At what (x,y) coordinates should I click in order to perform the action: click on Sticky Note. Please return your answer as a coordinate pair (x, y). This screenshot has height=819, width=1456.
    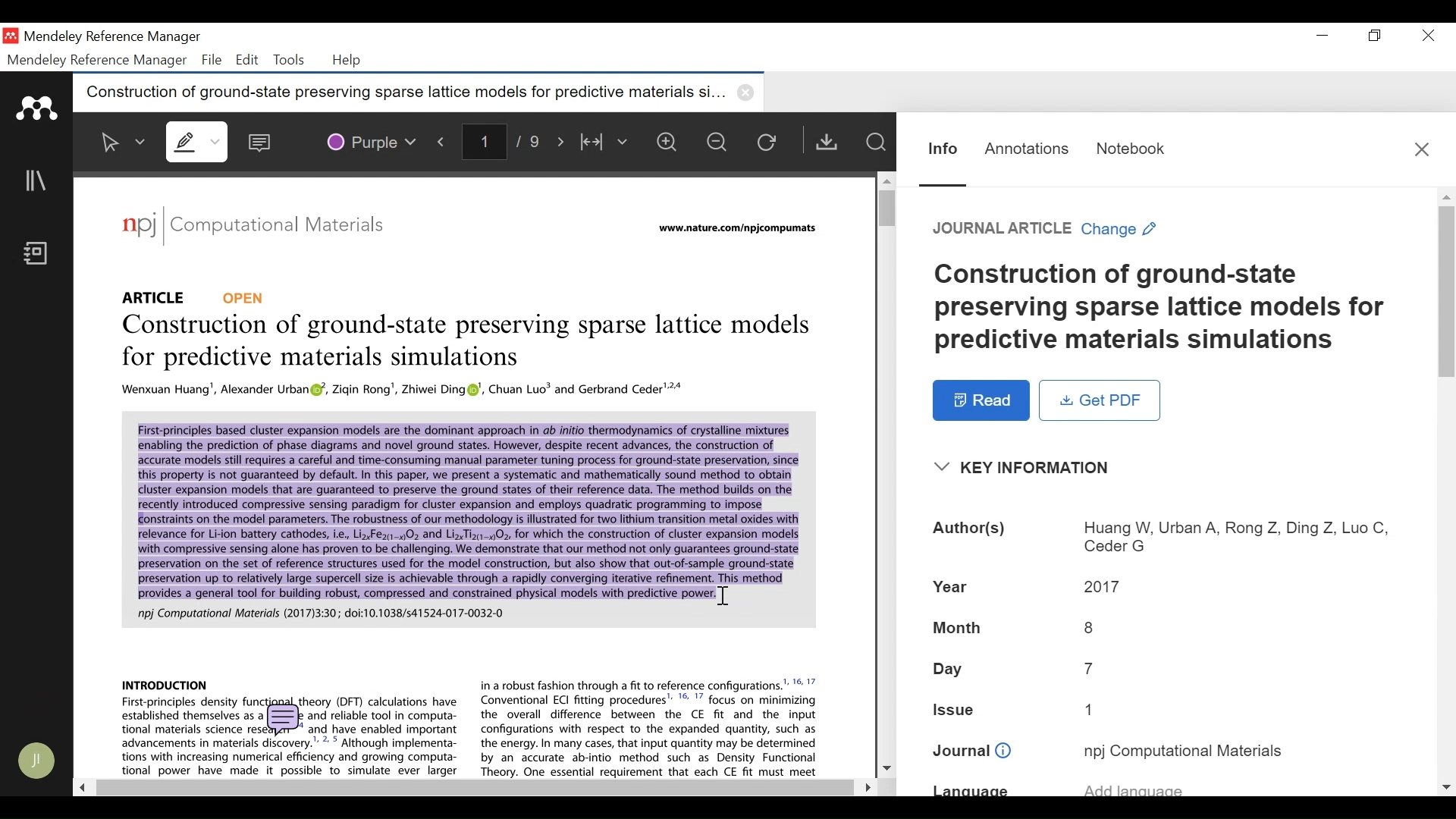
    Looking at the image, I should click on (263, 139).